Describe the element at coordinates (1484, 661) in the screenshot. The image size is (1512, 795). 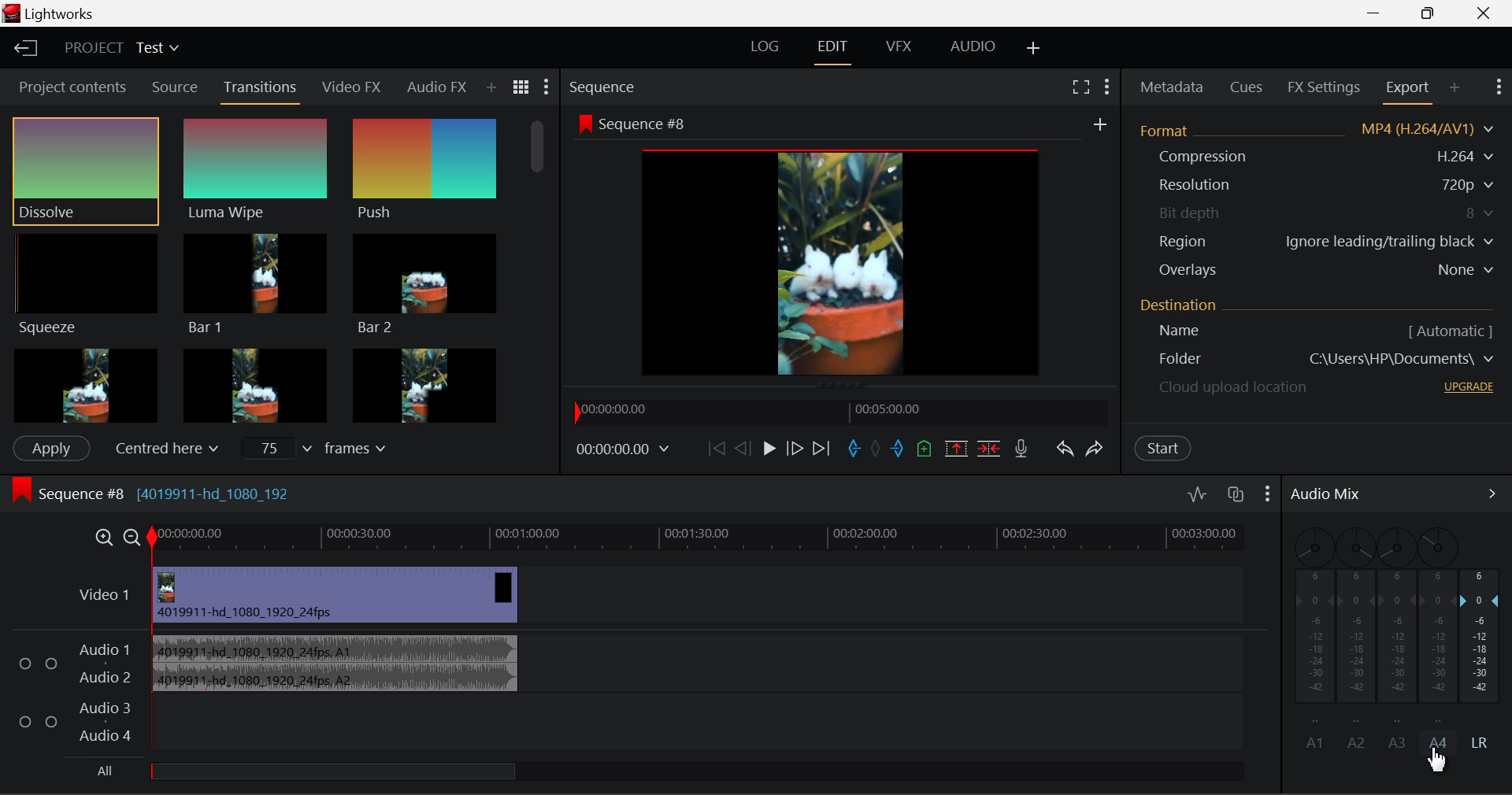
I see `LR Decibel Level` at that location.